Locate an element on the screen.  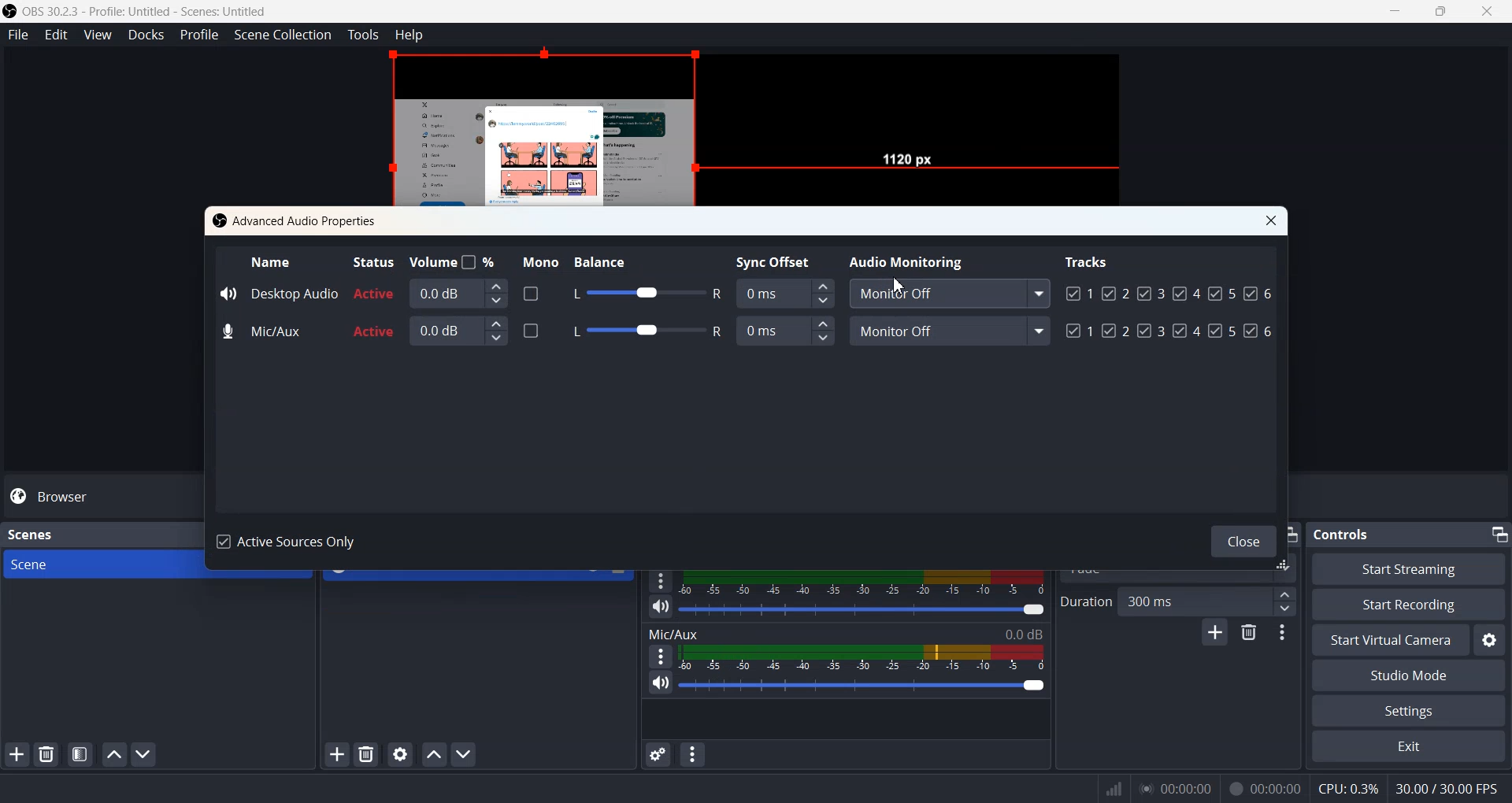
0.0 dB is located at coordinates (458, 293).